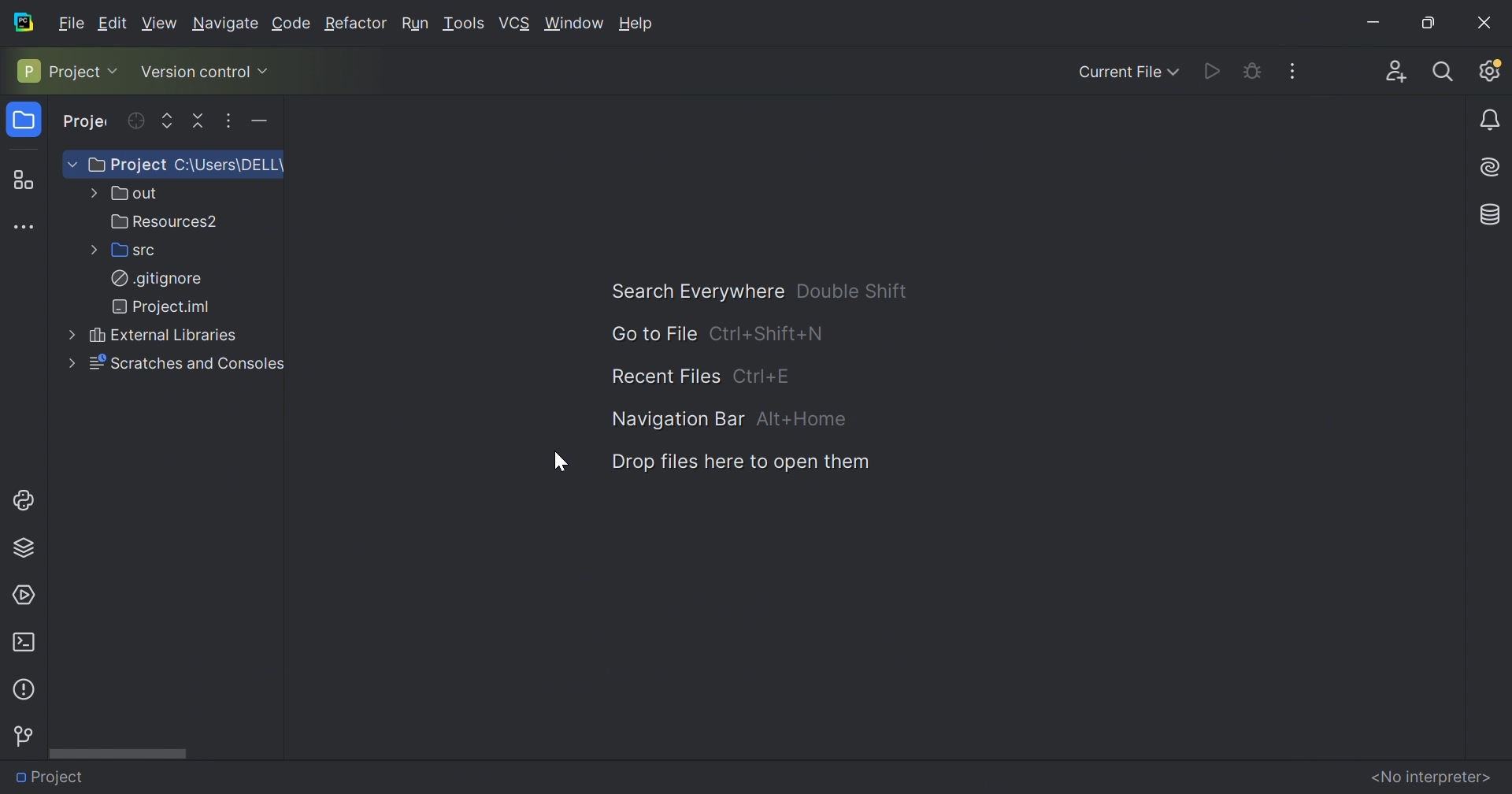  What do you see at coordinates (1430, 776) in the screenshot?
I see `<No interpreter>` at bounding box center [1430, 776].